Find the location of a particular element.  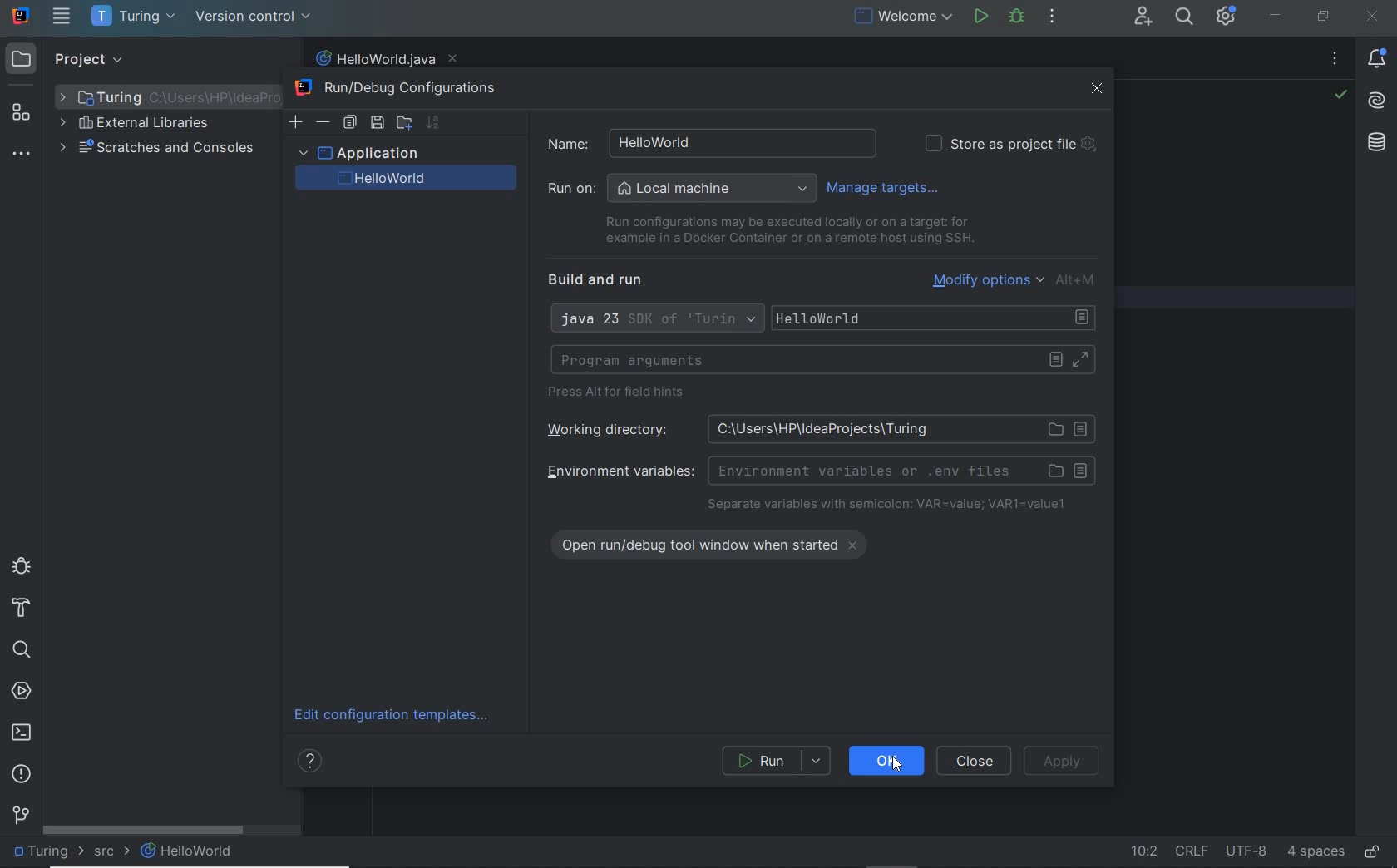

cancel is located at coordinates (976, 761).